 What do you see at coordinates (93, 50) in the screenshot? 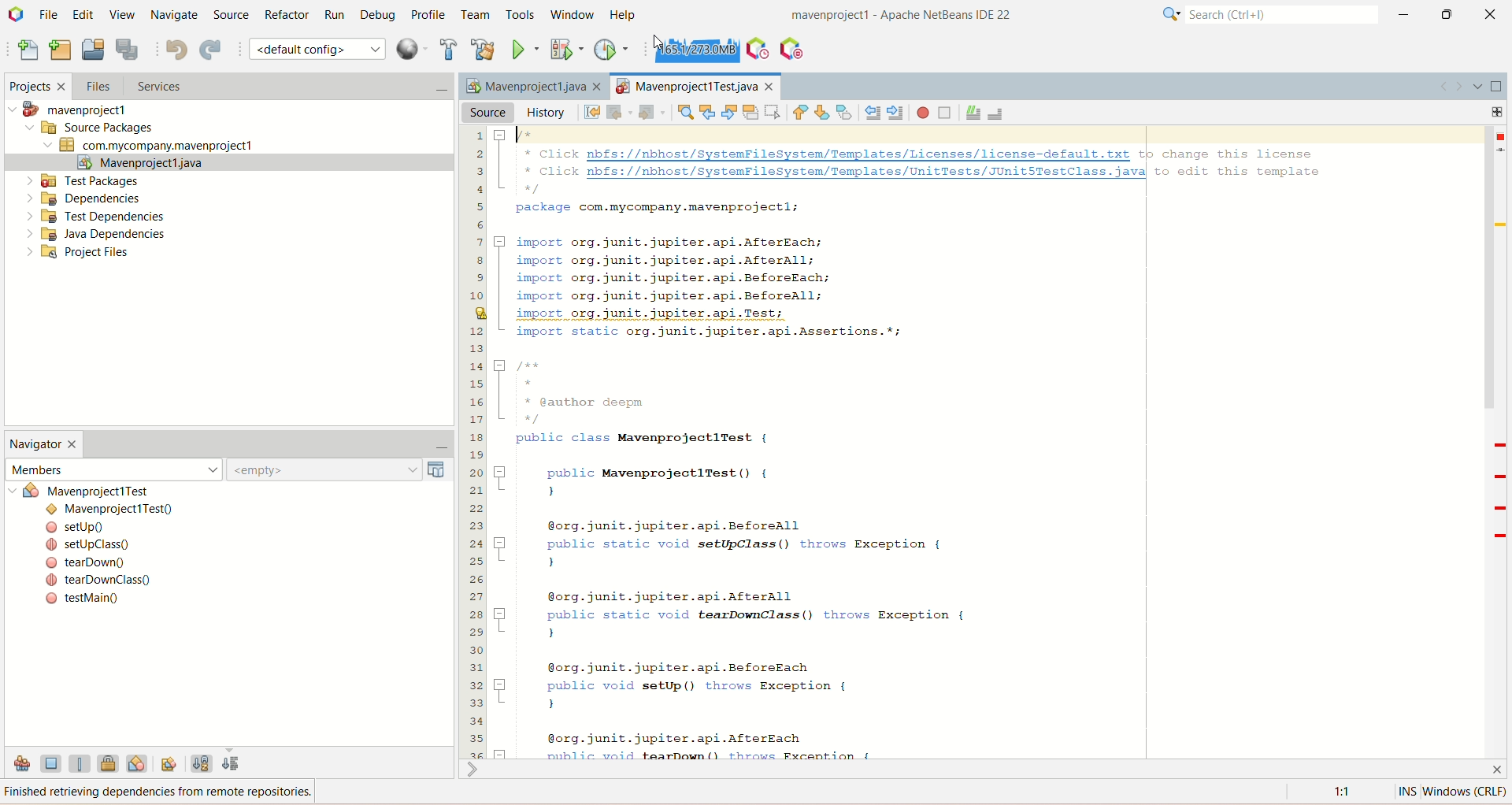
I see `open project` at bounding box center [93, 50].